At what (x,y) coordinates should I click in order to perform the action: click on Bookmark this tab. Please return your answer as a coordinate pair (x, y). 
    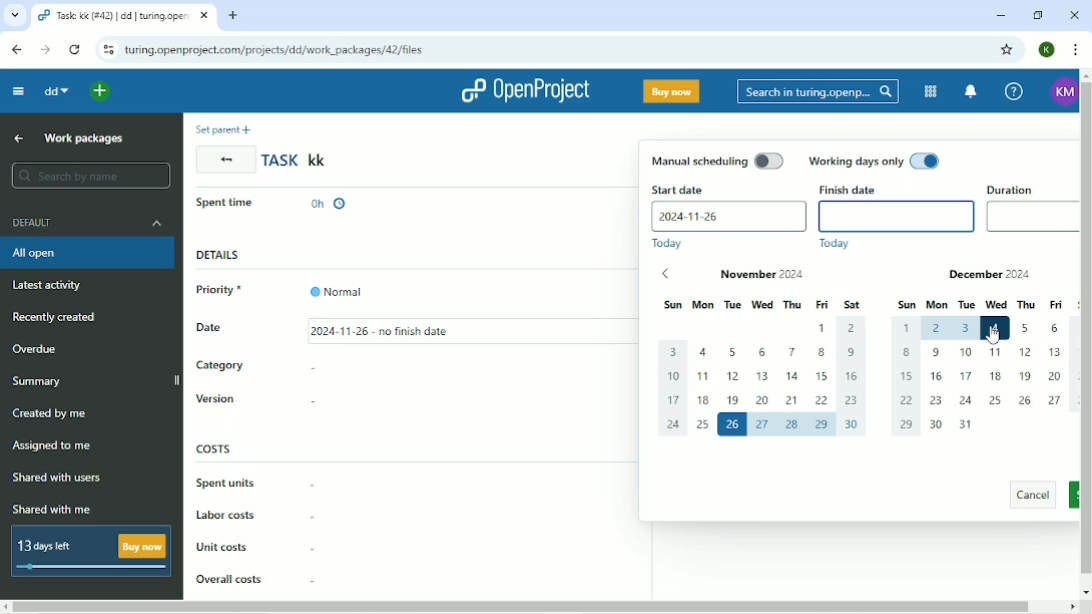
    Looking at the image, I should click on (1007, 50).